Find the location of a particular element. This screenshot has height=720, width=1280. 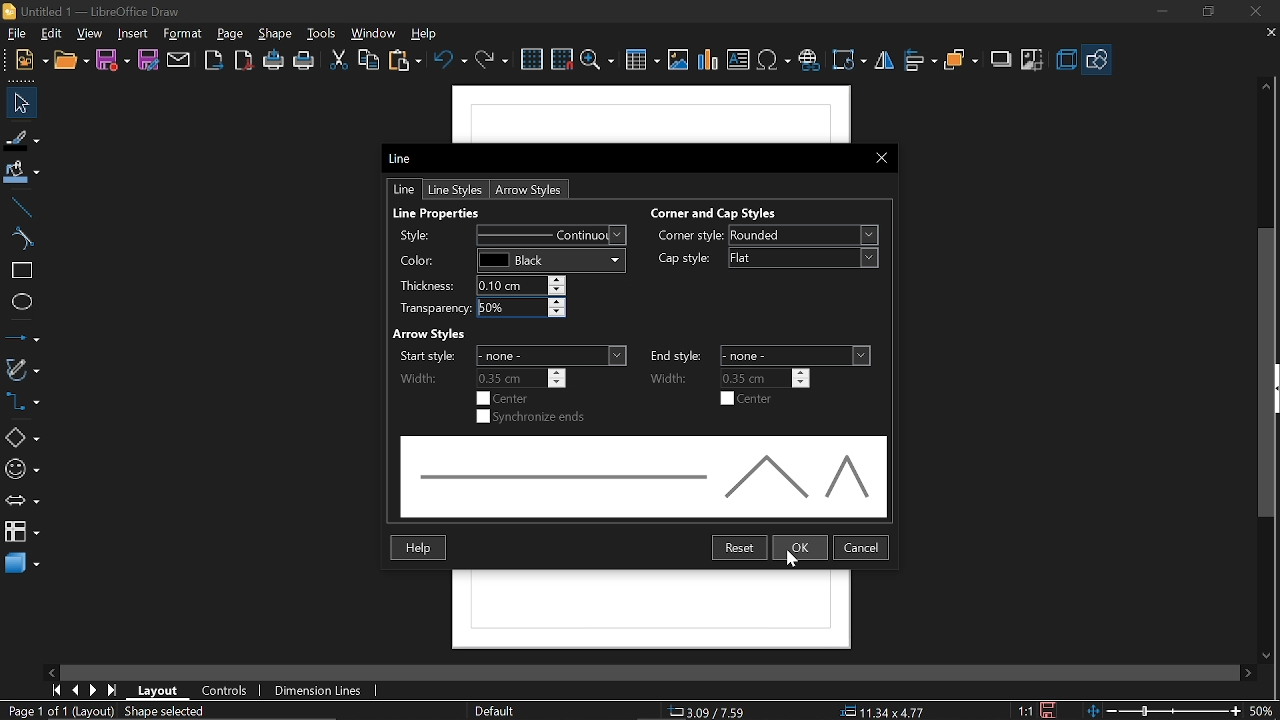

go to first page is located at coordinates (54, 691).